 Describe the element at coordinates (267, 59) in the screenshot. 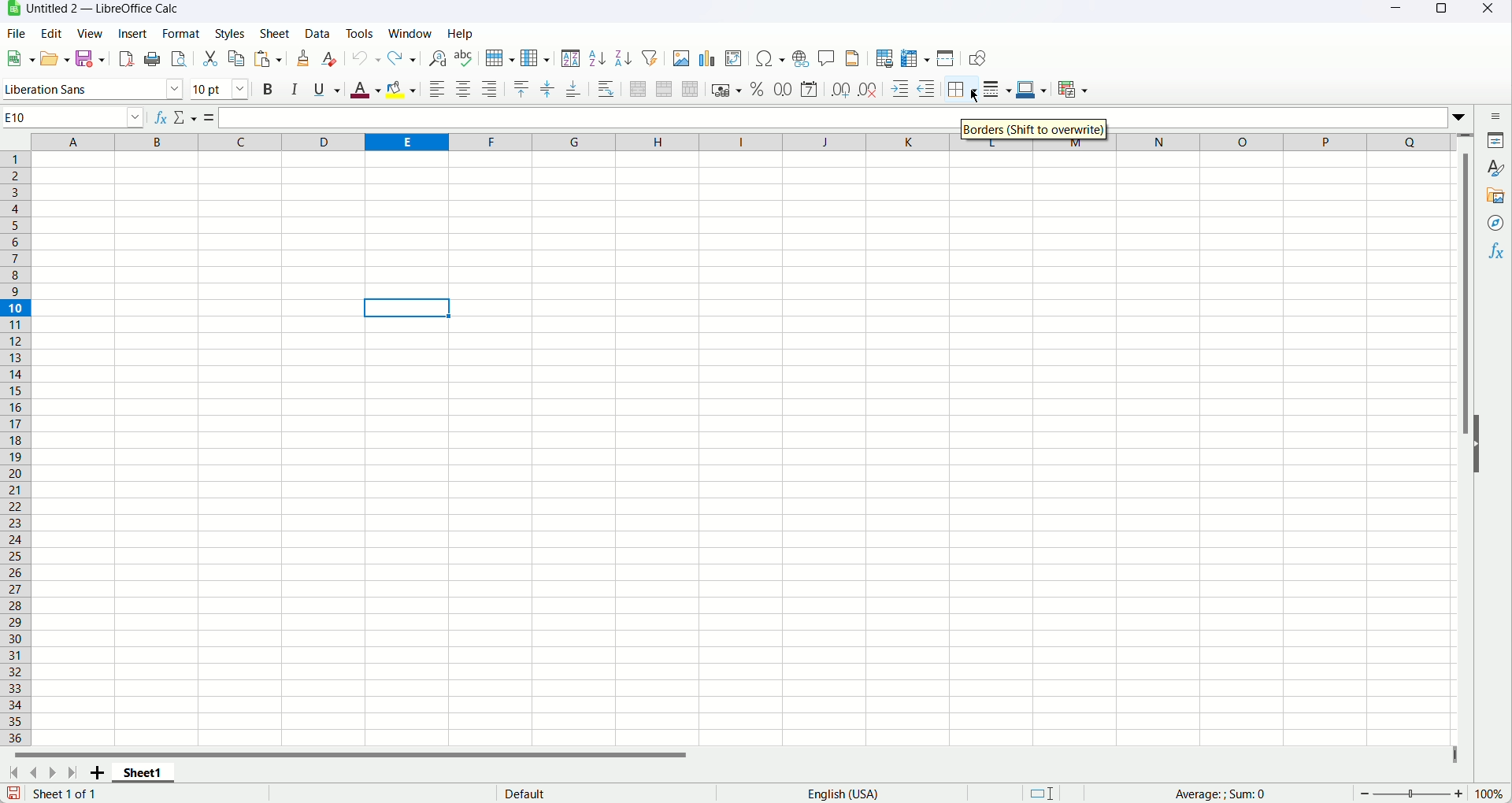

I see `Paste` at that location.